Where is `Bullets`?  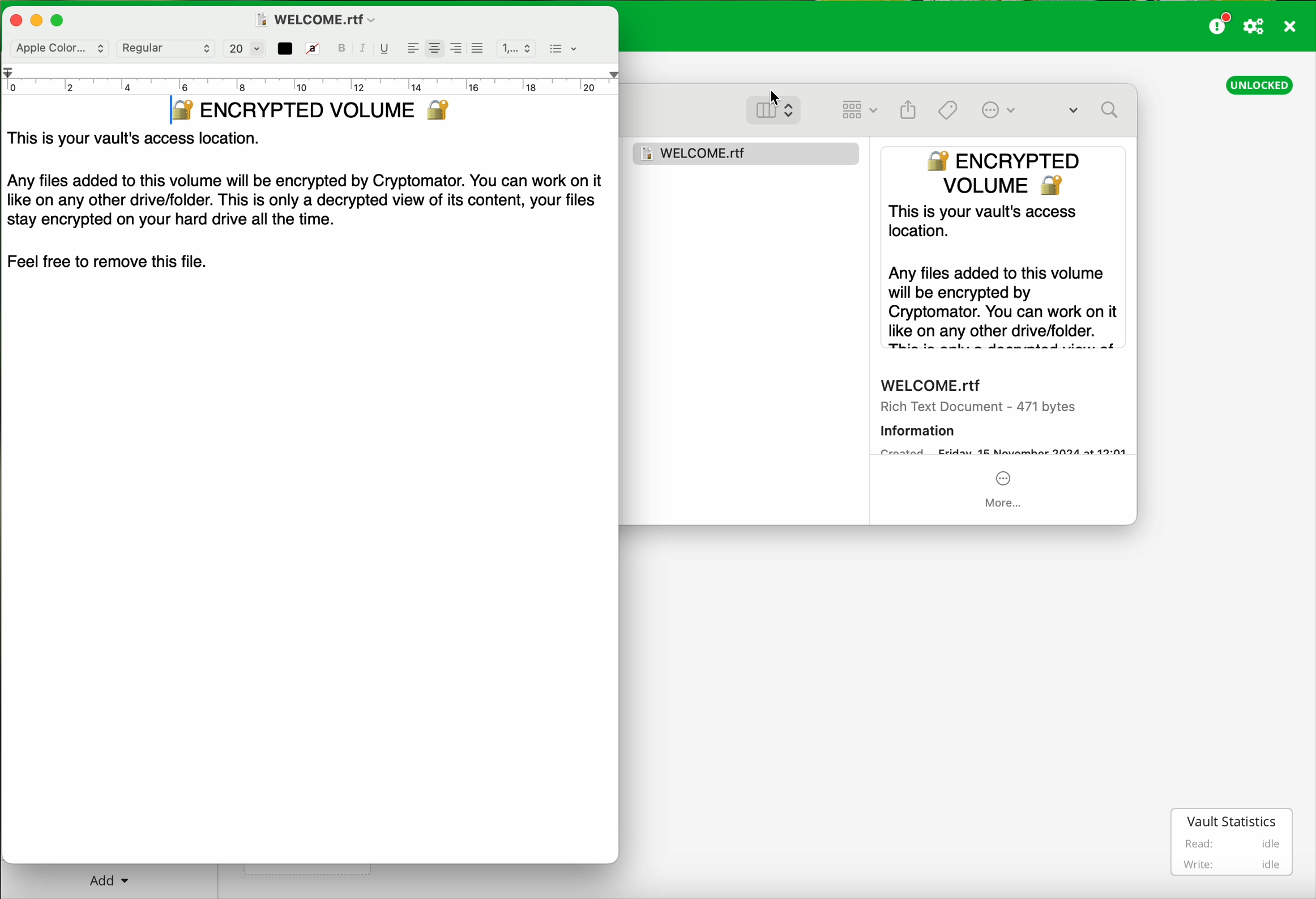
Bullets is located at coordinates (563, 47).